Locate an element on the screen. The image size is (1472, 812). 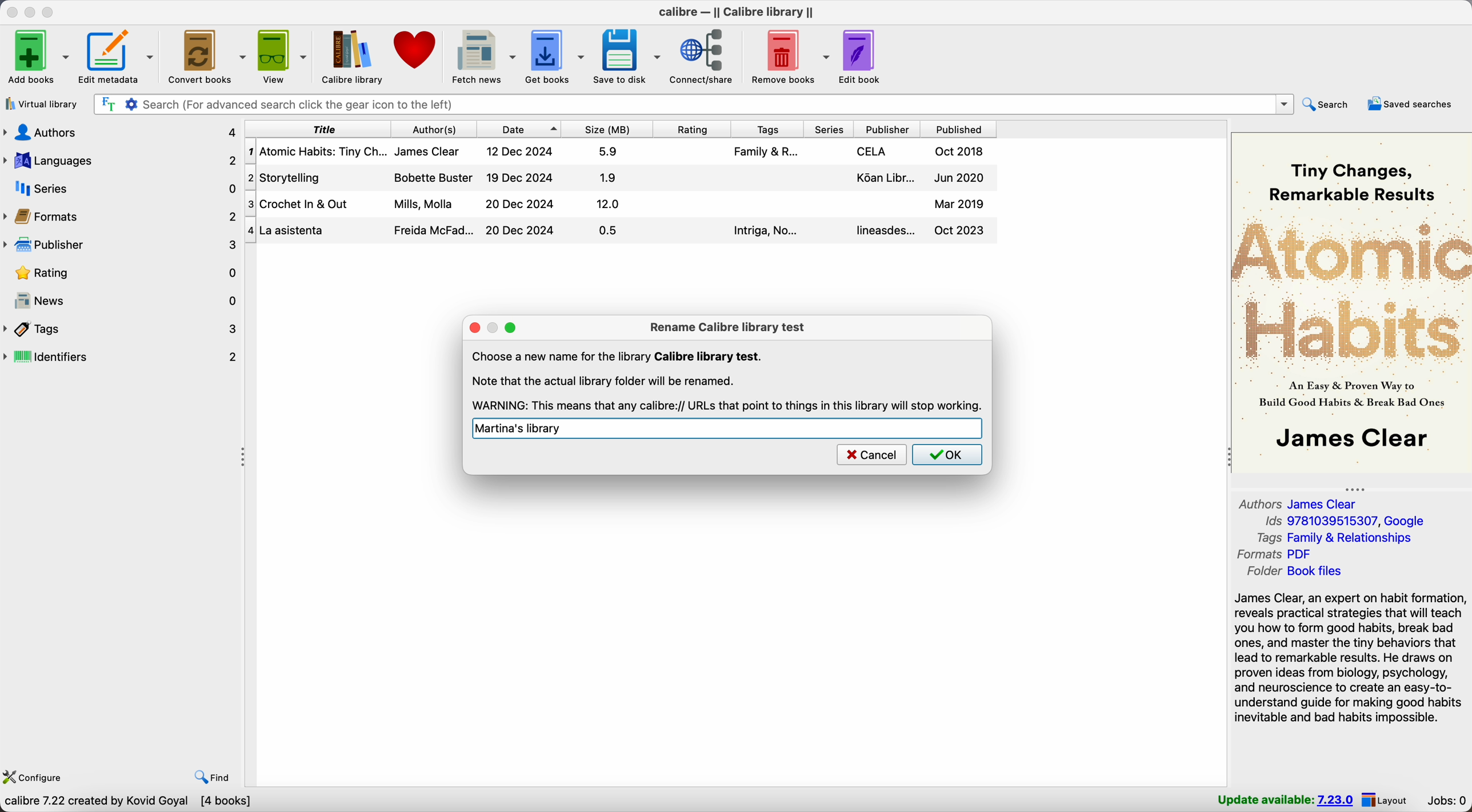
authors James Clear is located at coordinates (1298, 503).